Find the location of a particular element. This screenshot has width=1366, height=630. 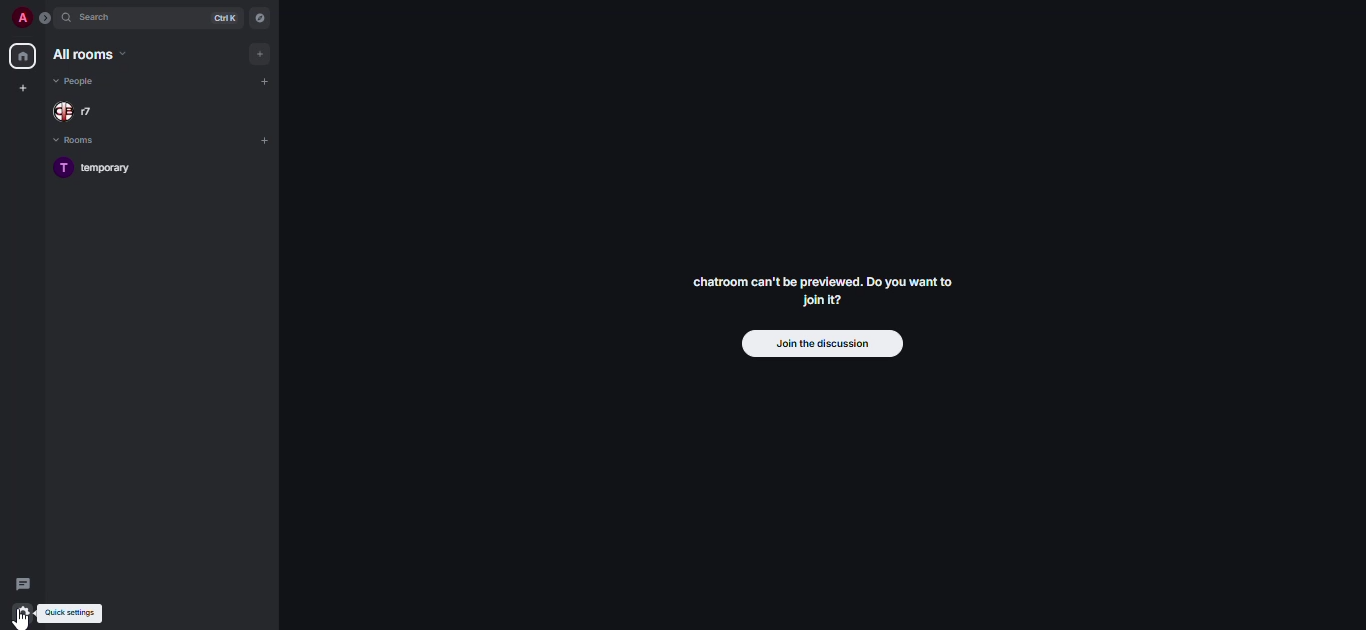

search is located at coordinates (96, 19).